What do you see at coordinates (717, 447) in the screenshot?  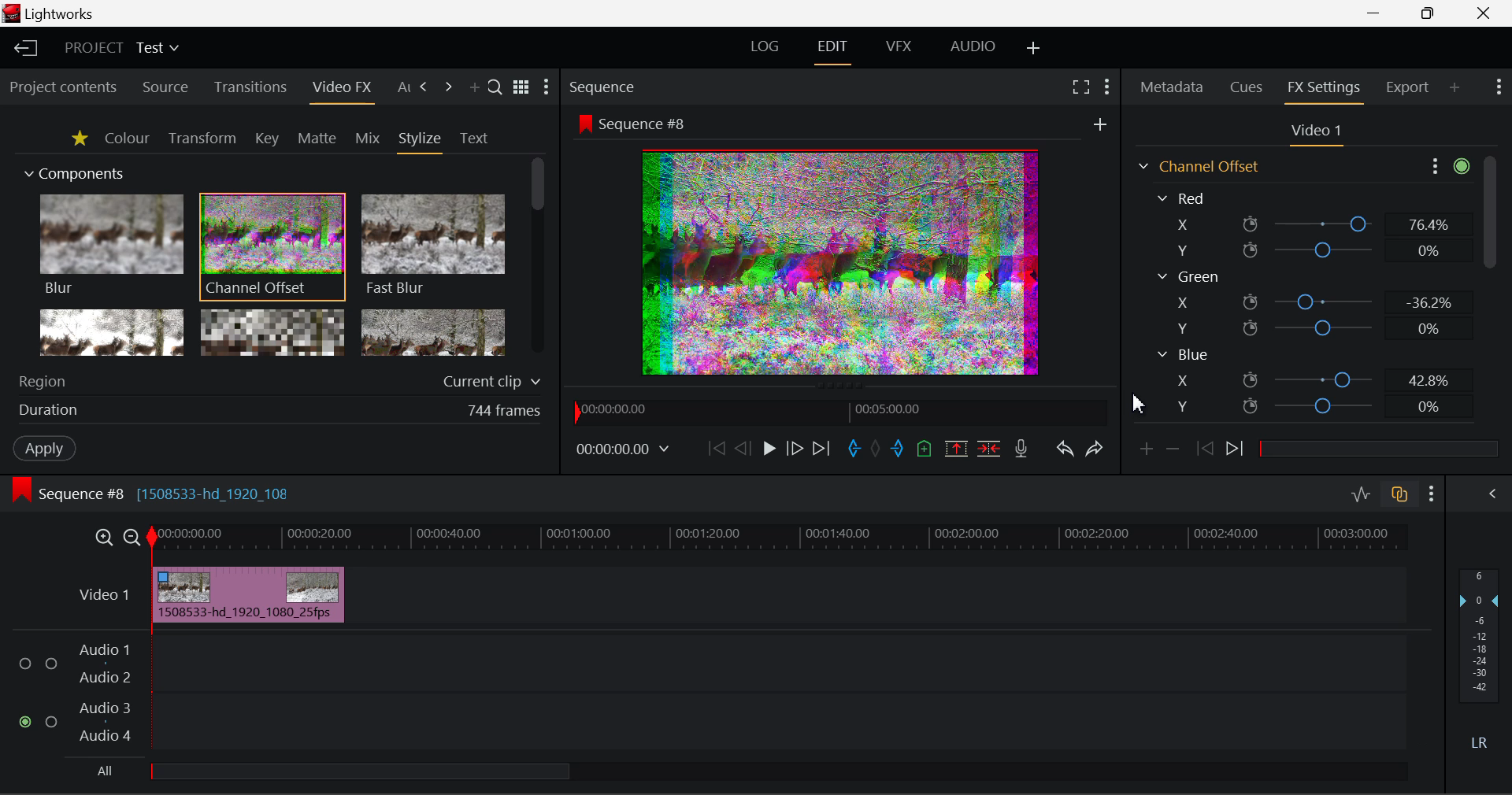 I see `To Start` at bounding box center [717, 447].